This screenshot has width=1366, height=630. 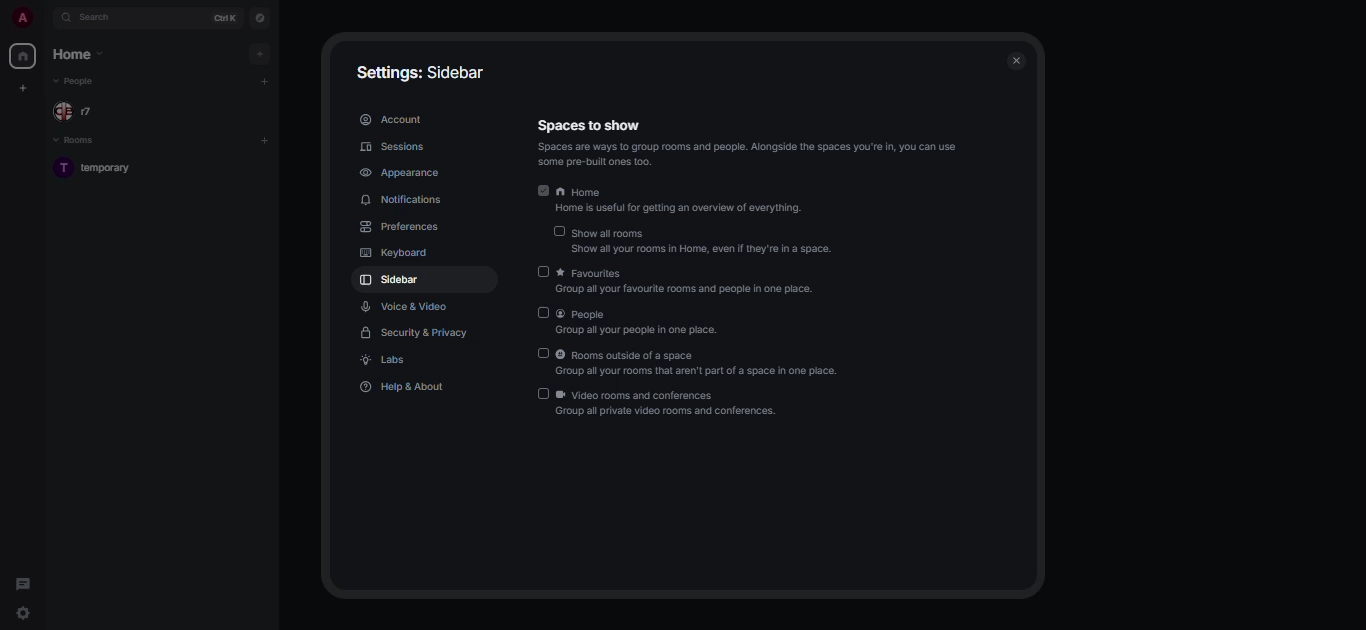 What do you see at coordinates (558, 231) in the screenshot?
I see `disabled` at bounding box center [558, 231].